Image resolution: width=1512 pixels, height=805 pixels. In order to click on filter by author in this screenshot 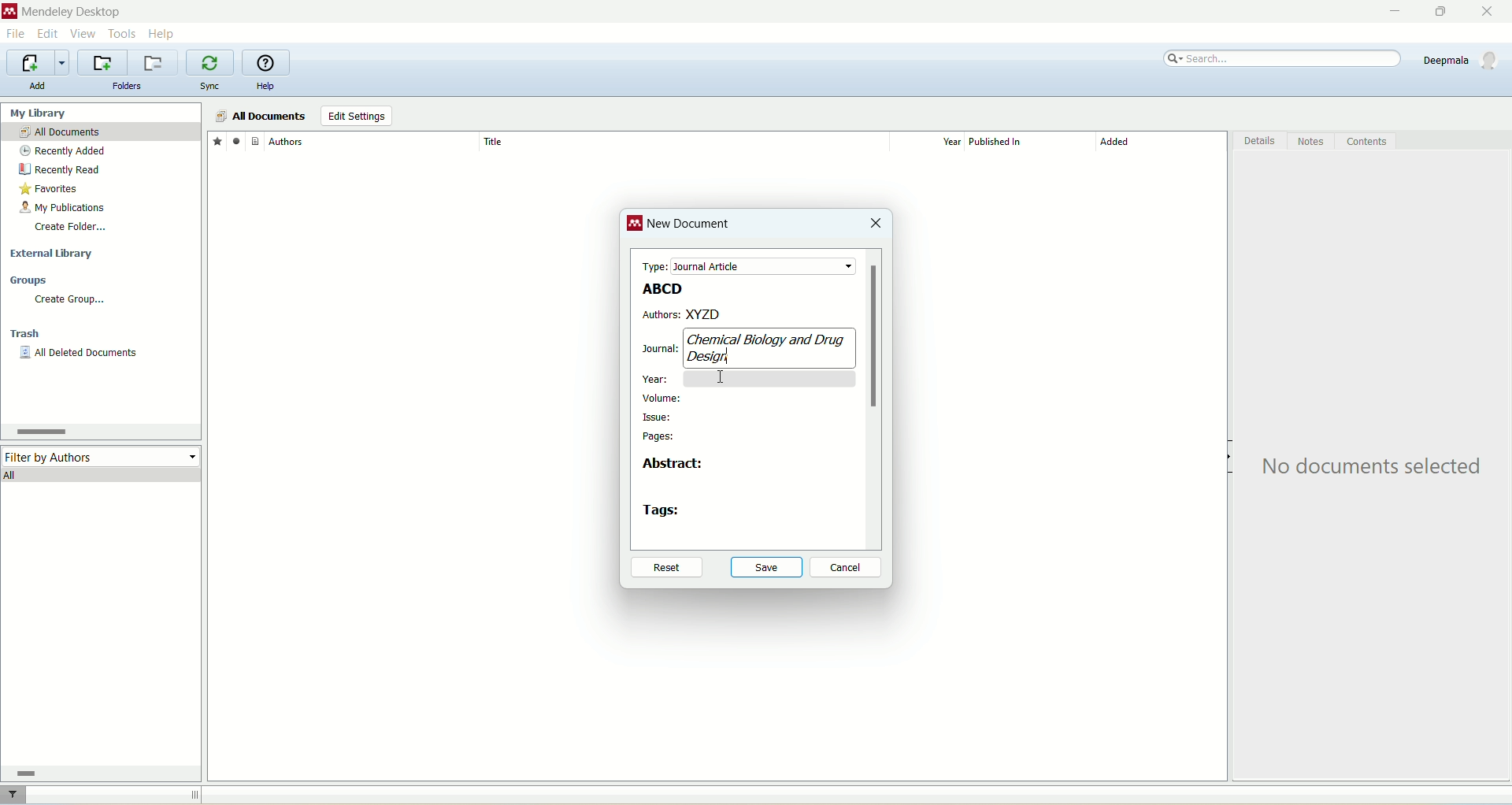, I will do `click(102, 455)`.